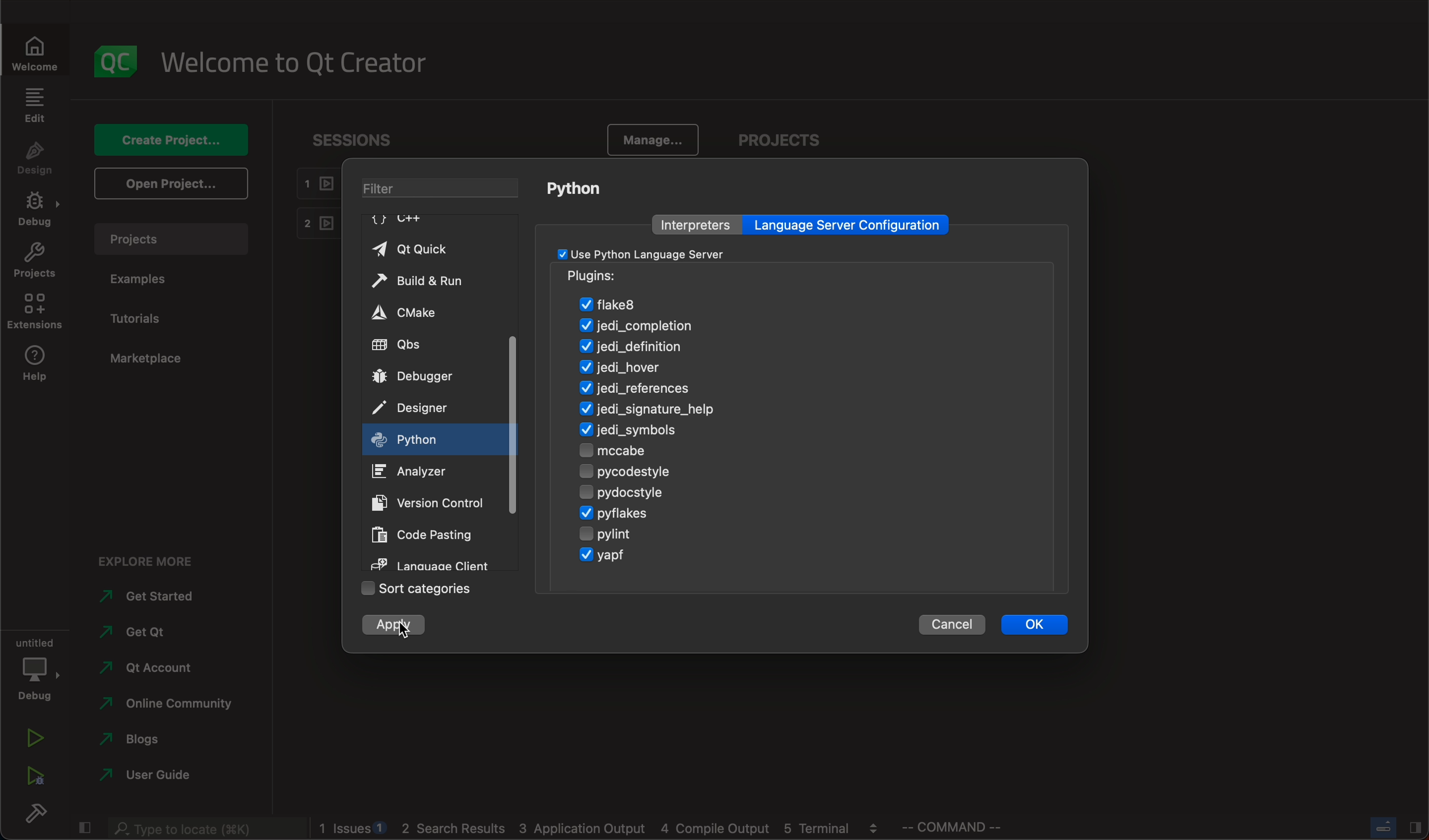 This screenshot has height=840, width=1429. What do you see at coordinates (612, 533) in the screenshot?
I see `pylint` at bounding box center [612, 533].